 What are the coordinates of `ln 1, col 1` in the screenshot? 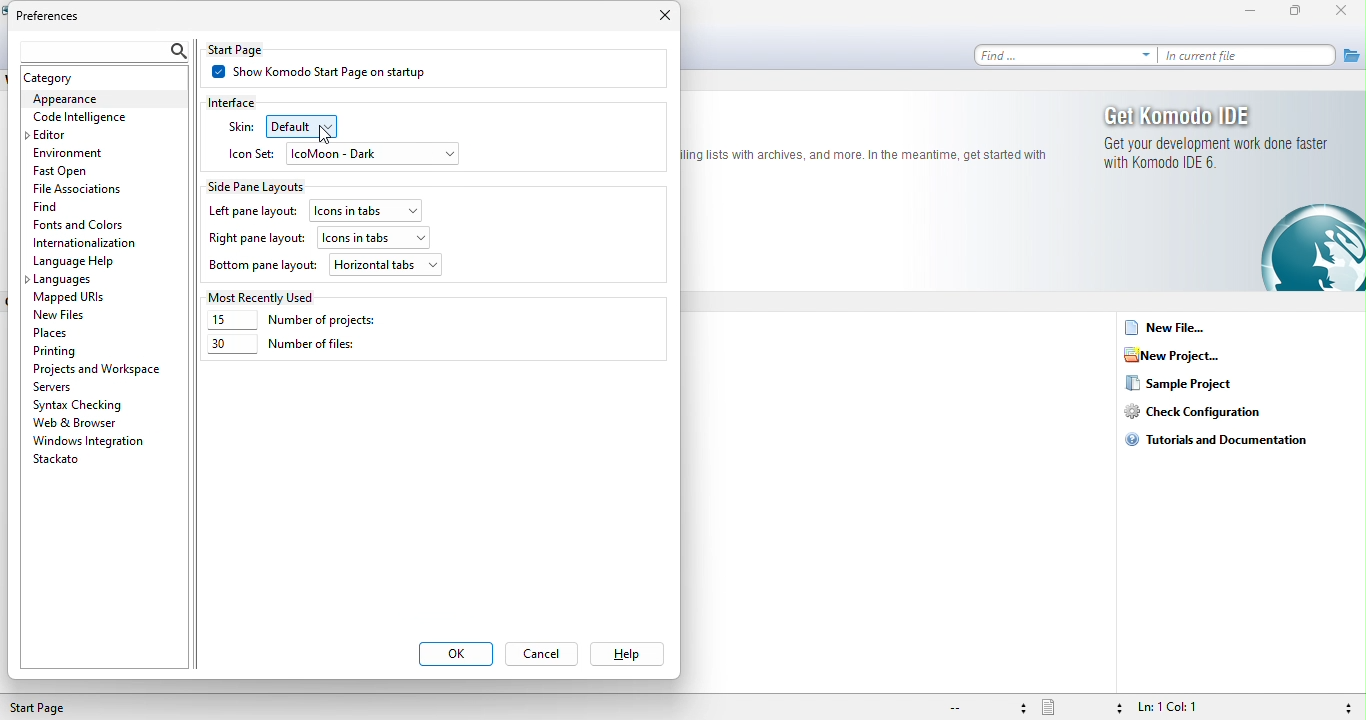 It's located at (1189, 707).